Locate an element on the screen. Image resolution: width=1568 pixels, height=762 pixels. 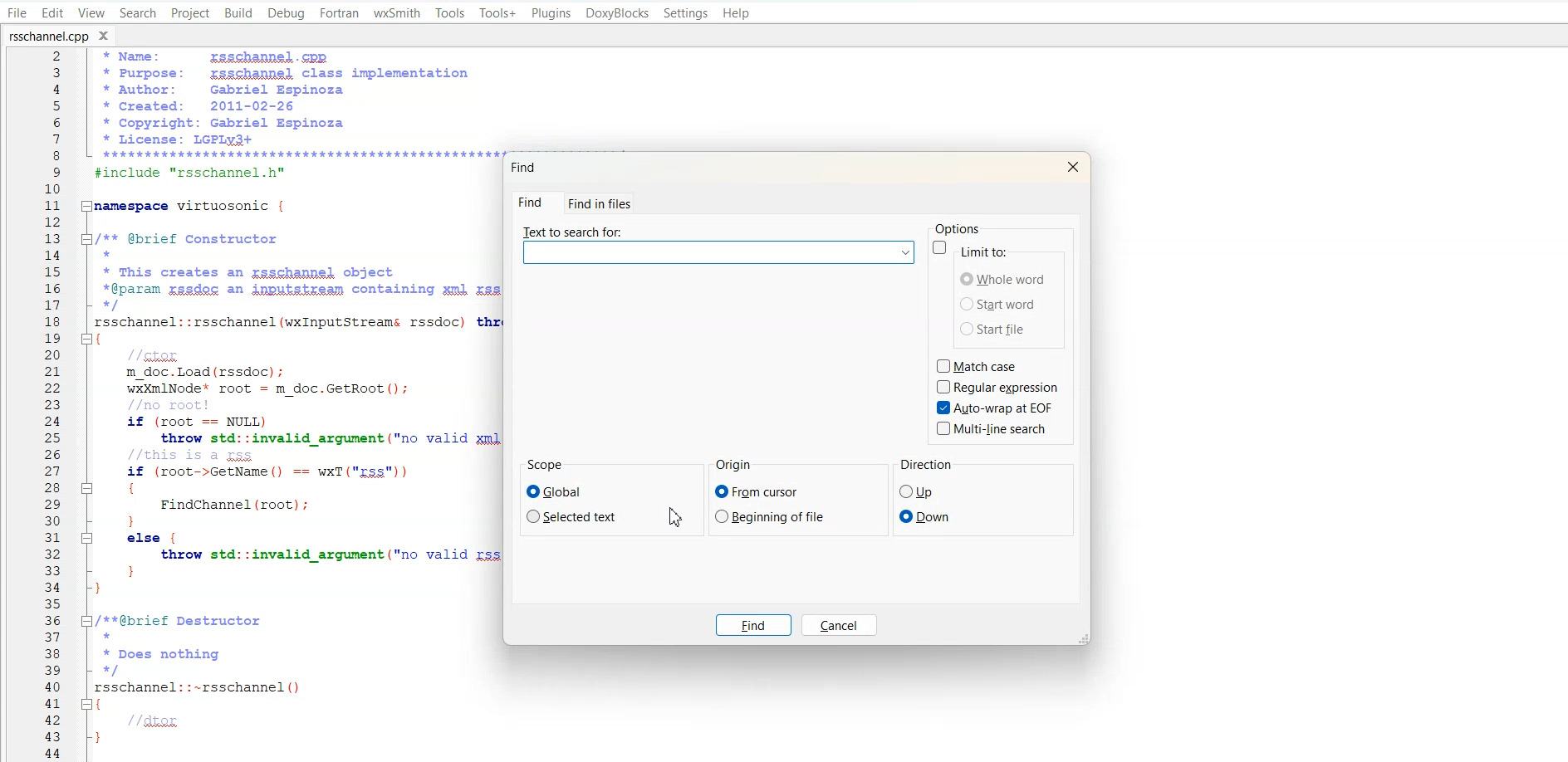
Cancel is located at coordinates (840, 625).